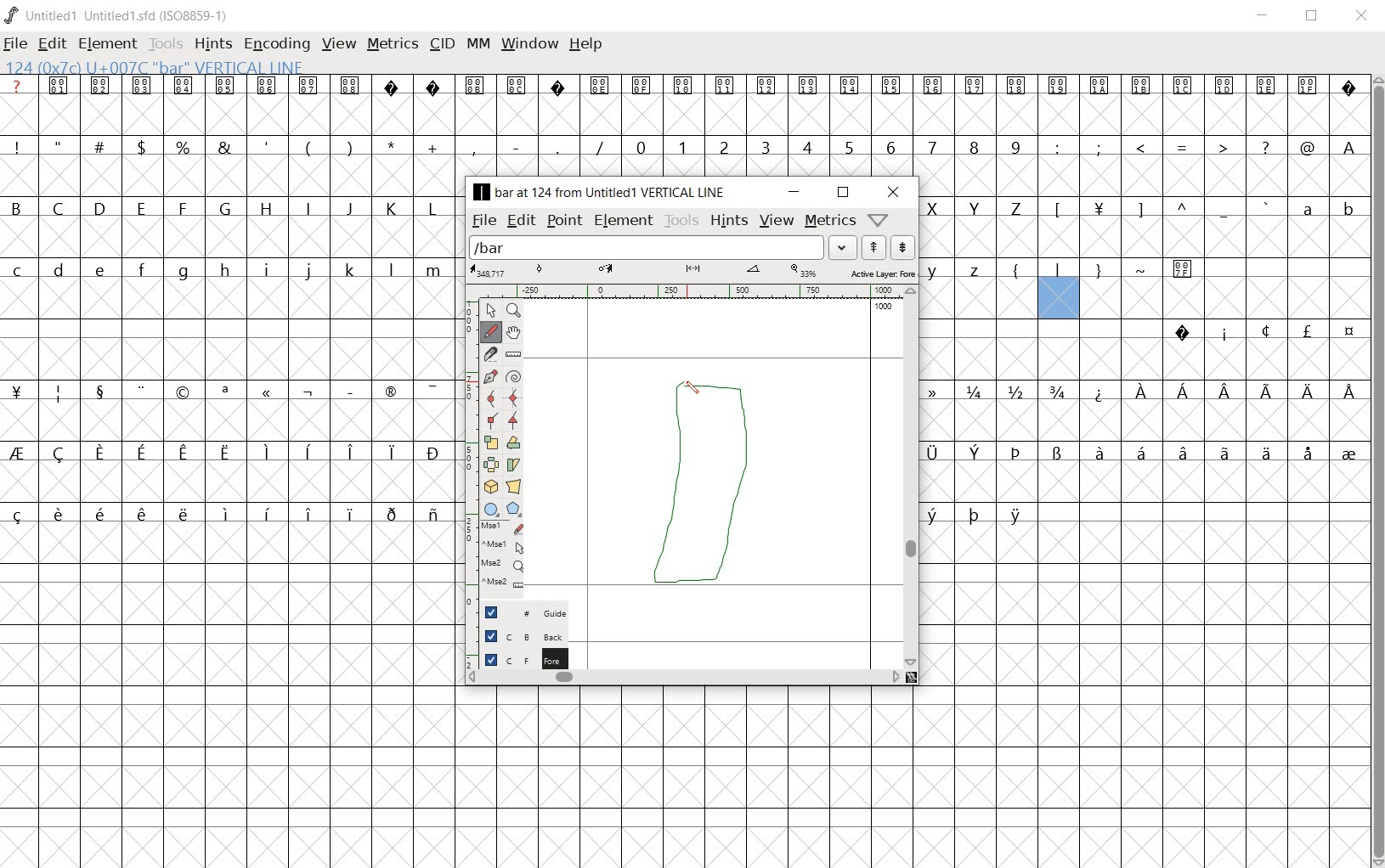 The image size is (1385, 868). Describe the element at coordinates (602, 193) in the screenshot. I see `BAR AT 124 FROM UNTITLED1 VERTICAL LINE` at that location.